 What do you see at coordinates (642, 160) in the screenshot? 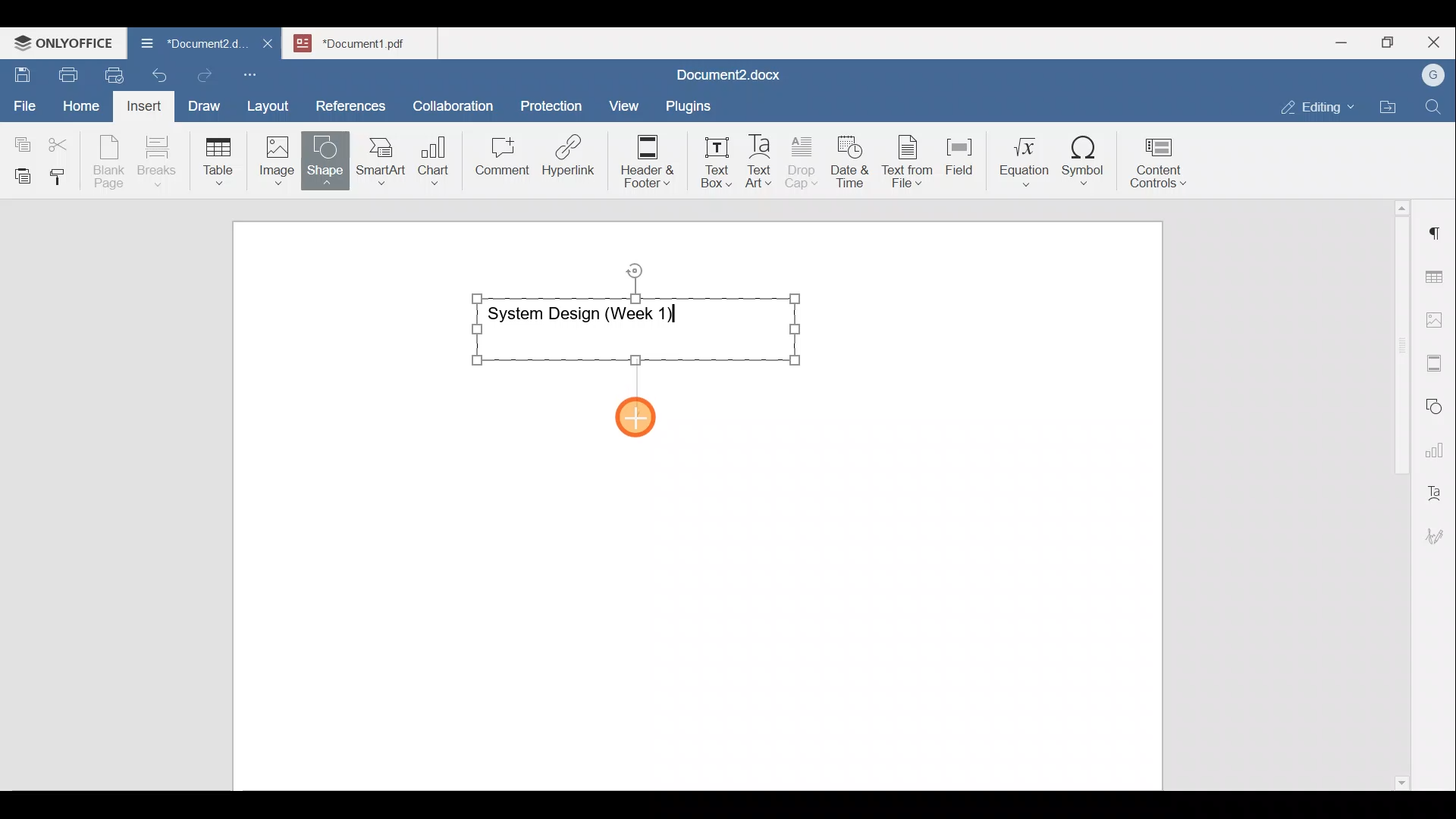
I see `Header & footer` at bounding box center [642, 160].